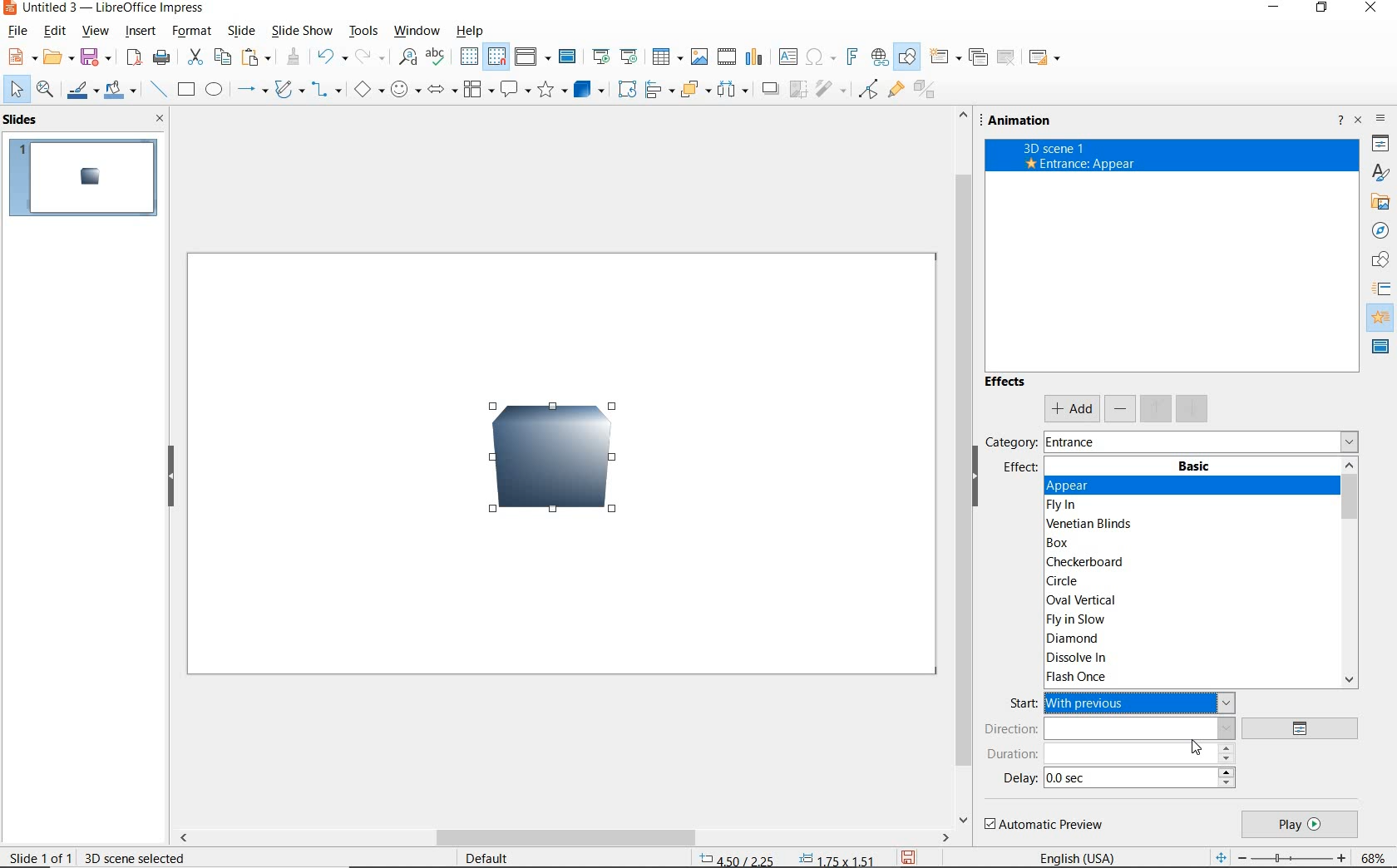  I want to click on insert image, so click(702, 57).